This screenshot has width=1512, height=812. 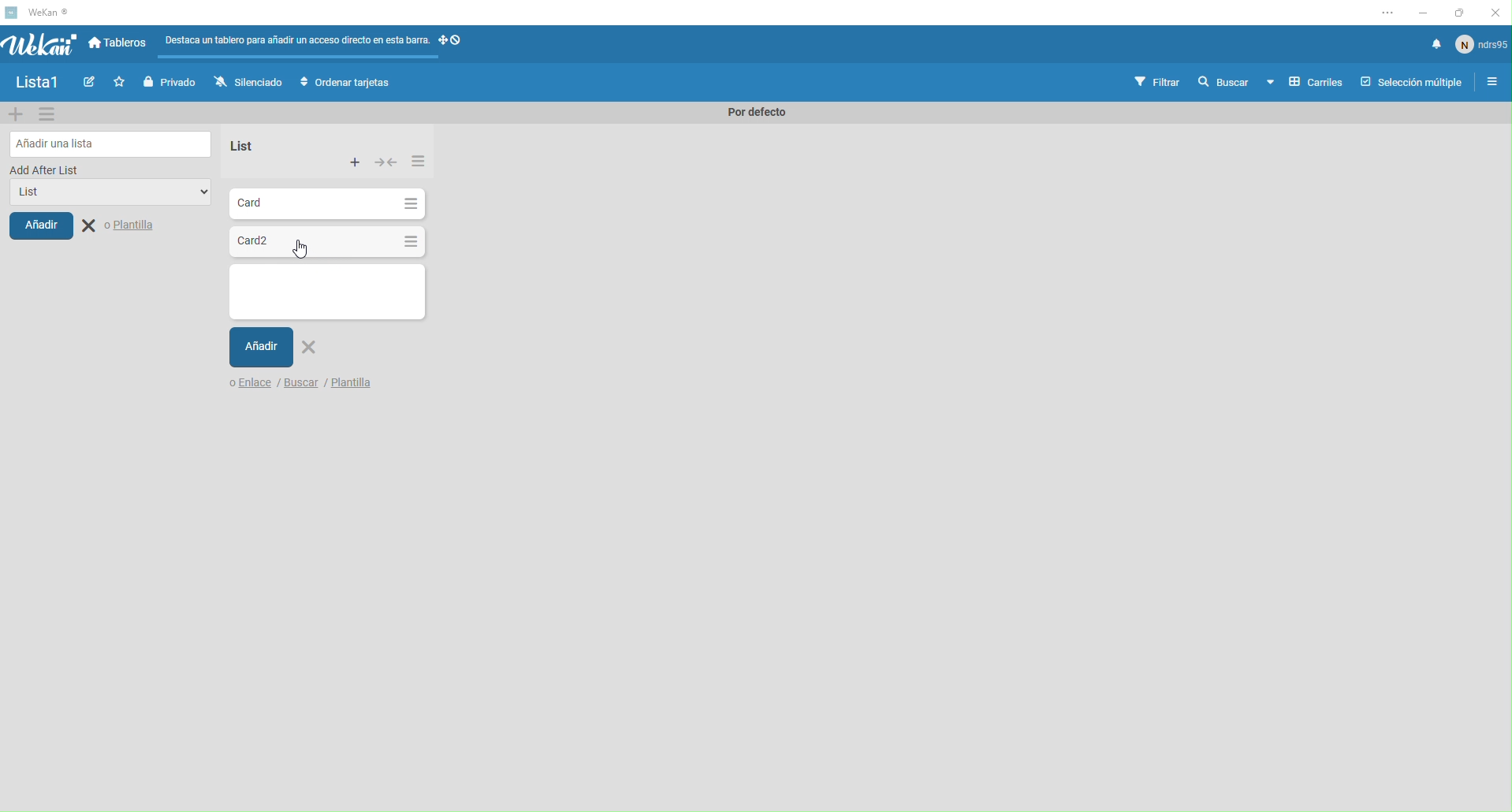 I want to click on Plantilla, so click(x=131, y=226).